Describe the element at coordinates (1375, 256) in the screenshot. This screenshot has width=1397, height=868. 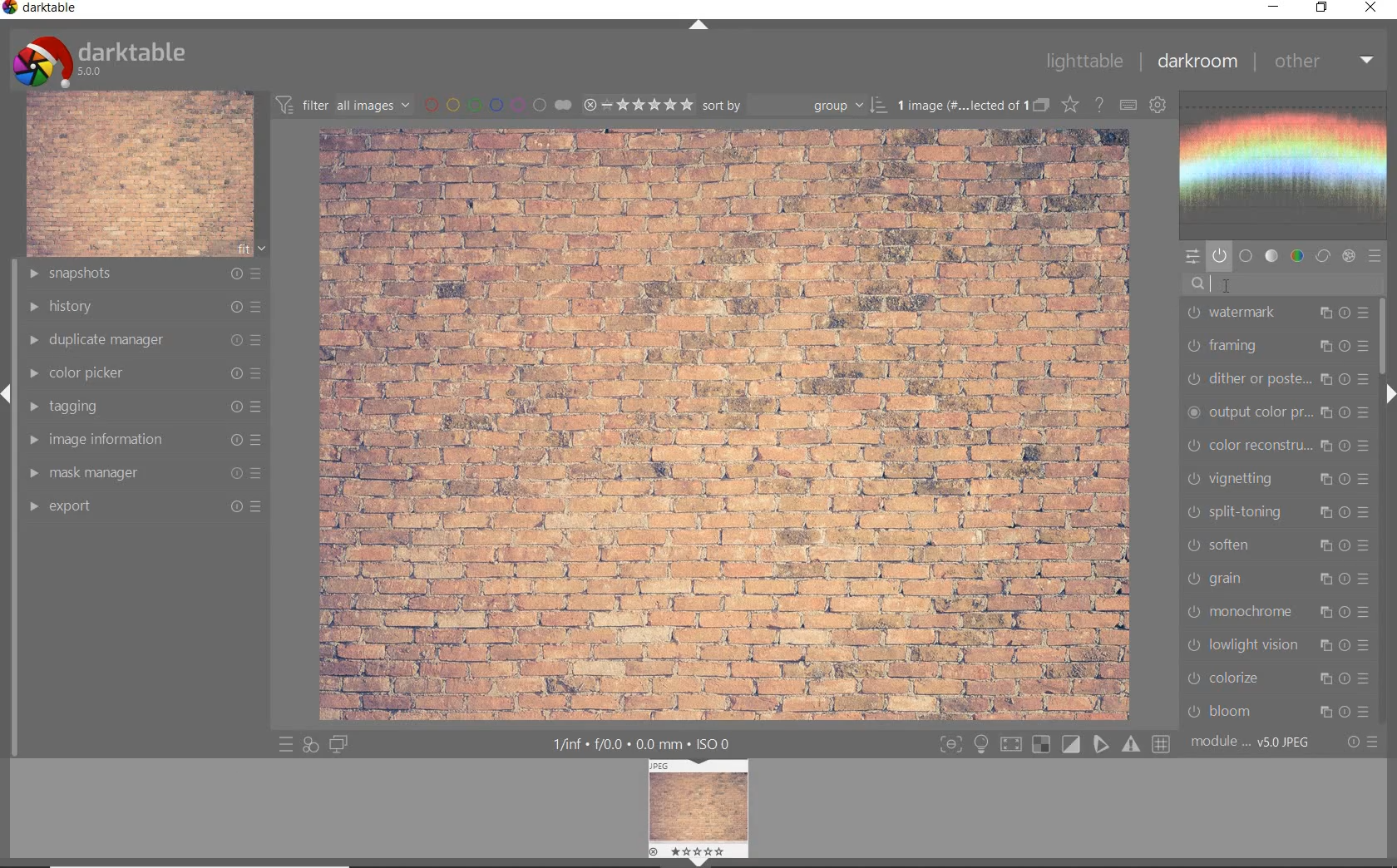
I see `preset` at that location.